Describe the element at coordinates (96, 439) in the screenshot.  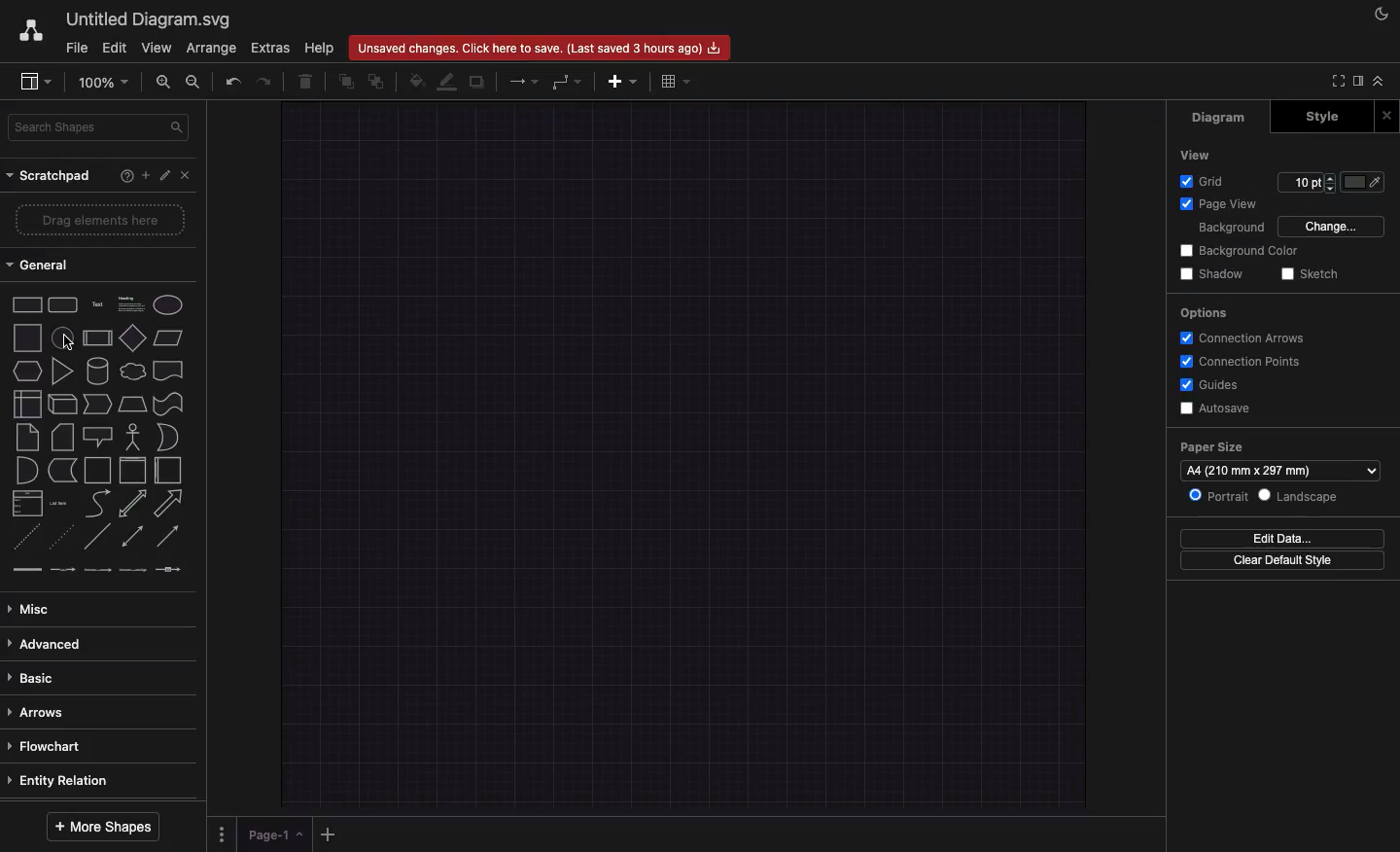
I see `Shapes` at that location.